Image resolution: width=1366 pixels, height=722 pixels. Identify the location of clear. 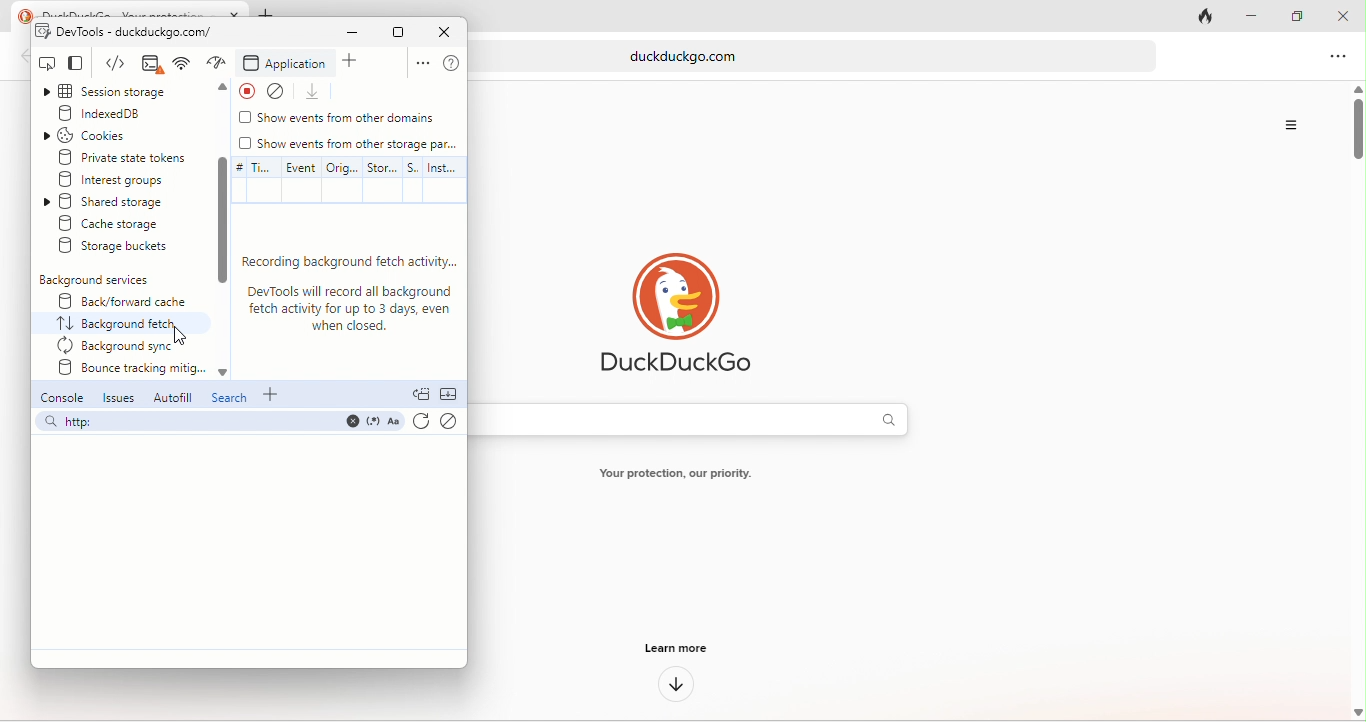
(282, 90).